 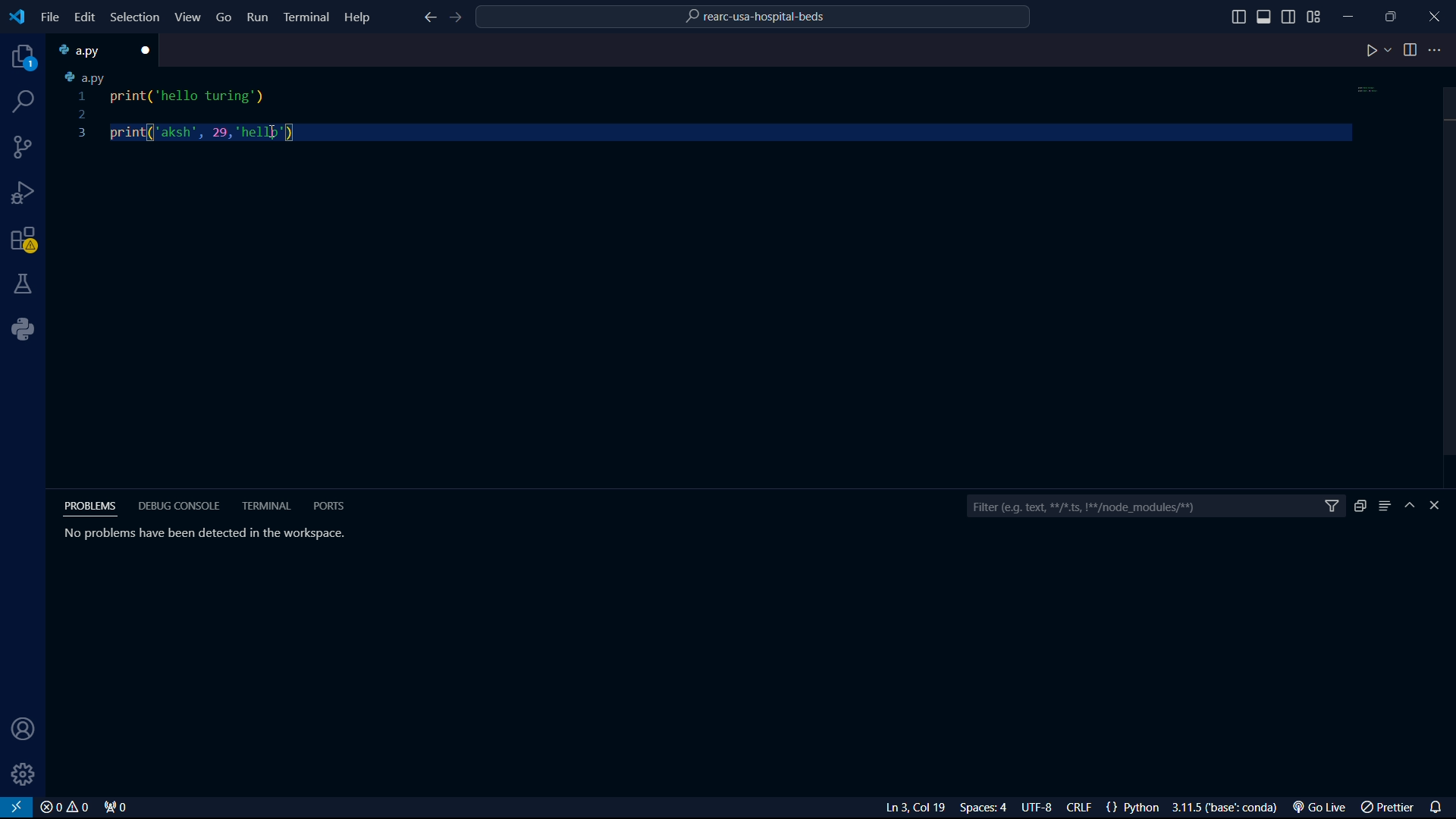 I want to click on python, so click(x=28, y=329).